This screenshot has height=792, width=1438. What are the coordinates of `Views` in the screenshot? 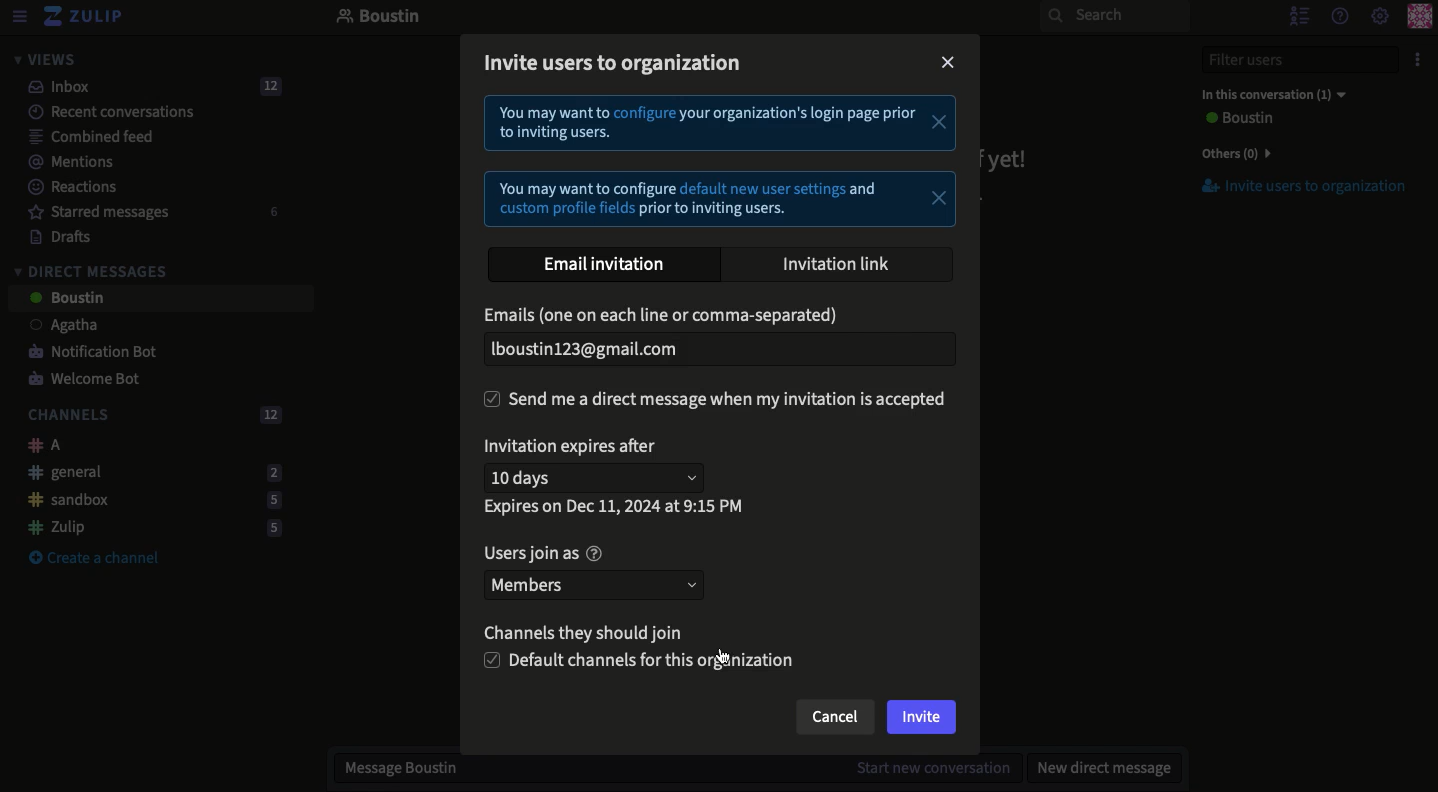 It's located at (44, 59).